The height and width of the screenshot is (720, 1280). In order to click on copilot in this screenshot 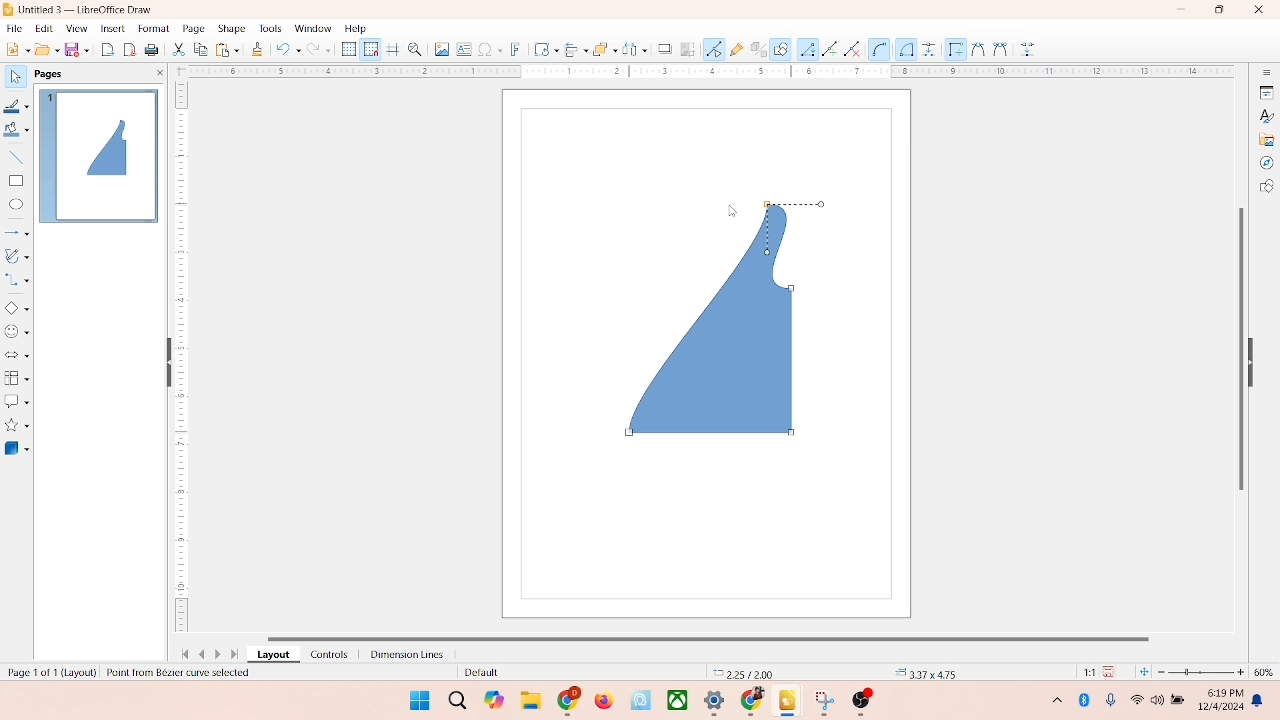, I will do `click(496, 700)`.